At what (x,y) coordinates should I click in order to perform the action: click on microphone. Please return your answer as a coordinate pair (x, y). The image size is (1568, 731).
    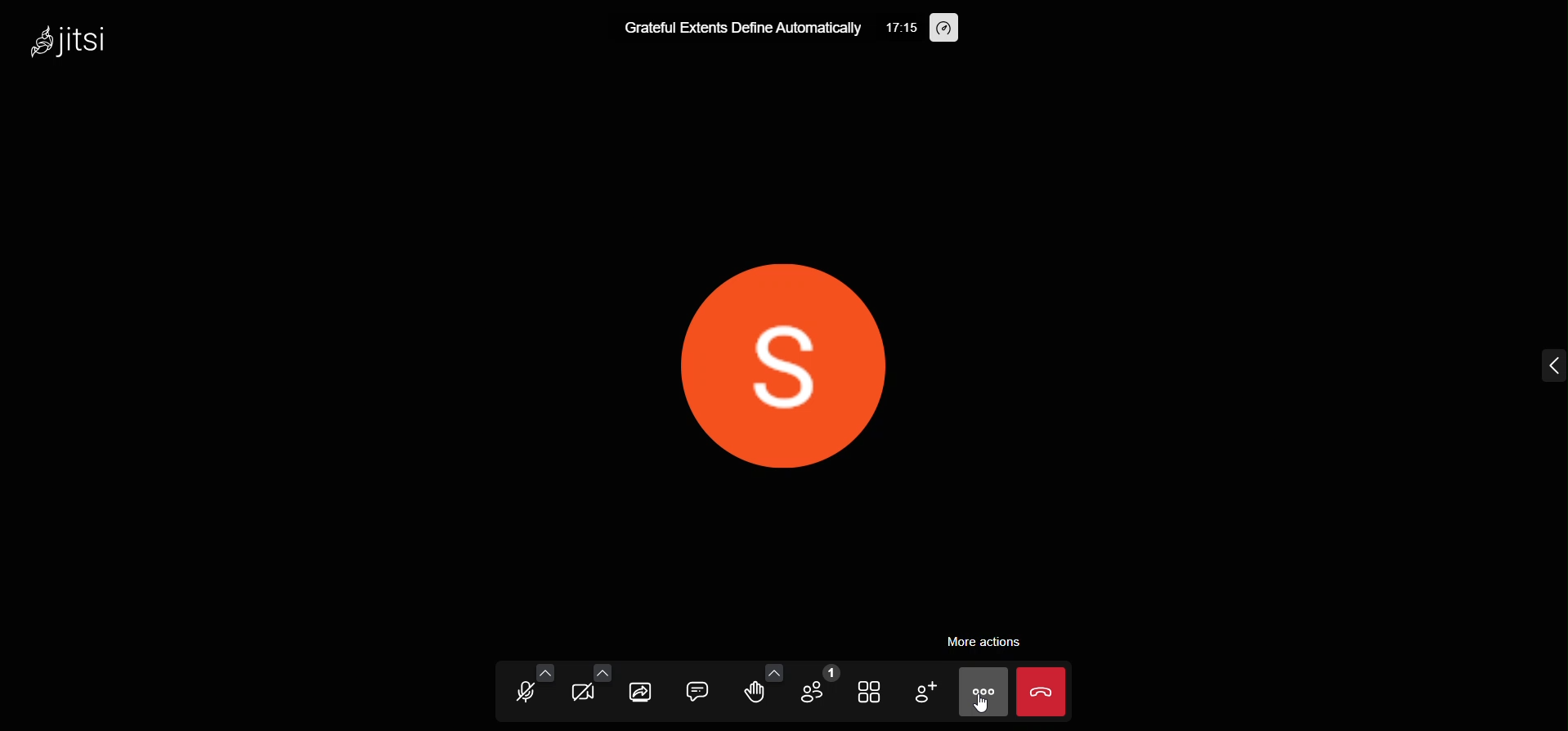
    Looking at the image, I should click on (525, 696).